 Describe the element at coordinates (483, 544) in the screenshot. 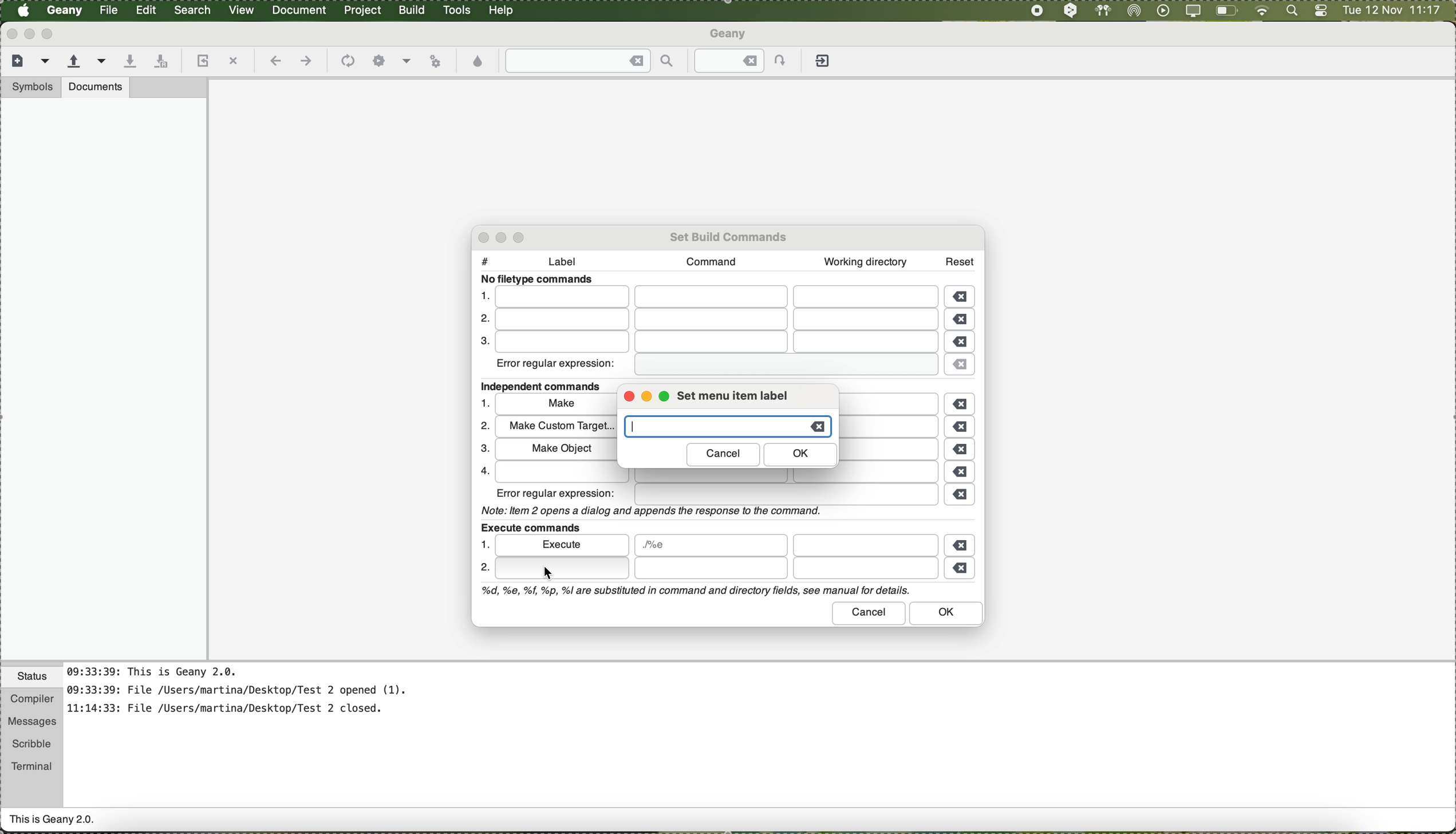

I see `1` at that location.